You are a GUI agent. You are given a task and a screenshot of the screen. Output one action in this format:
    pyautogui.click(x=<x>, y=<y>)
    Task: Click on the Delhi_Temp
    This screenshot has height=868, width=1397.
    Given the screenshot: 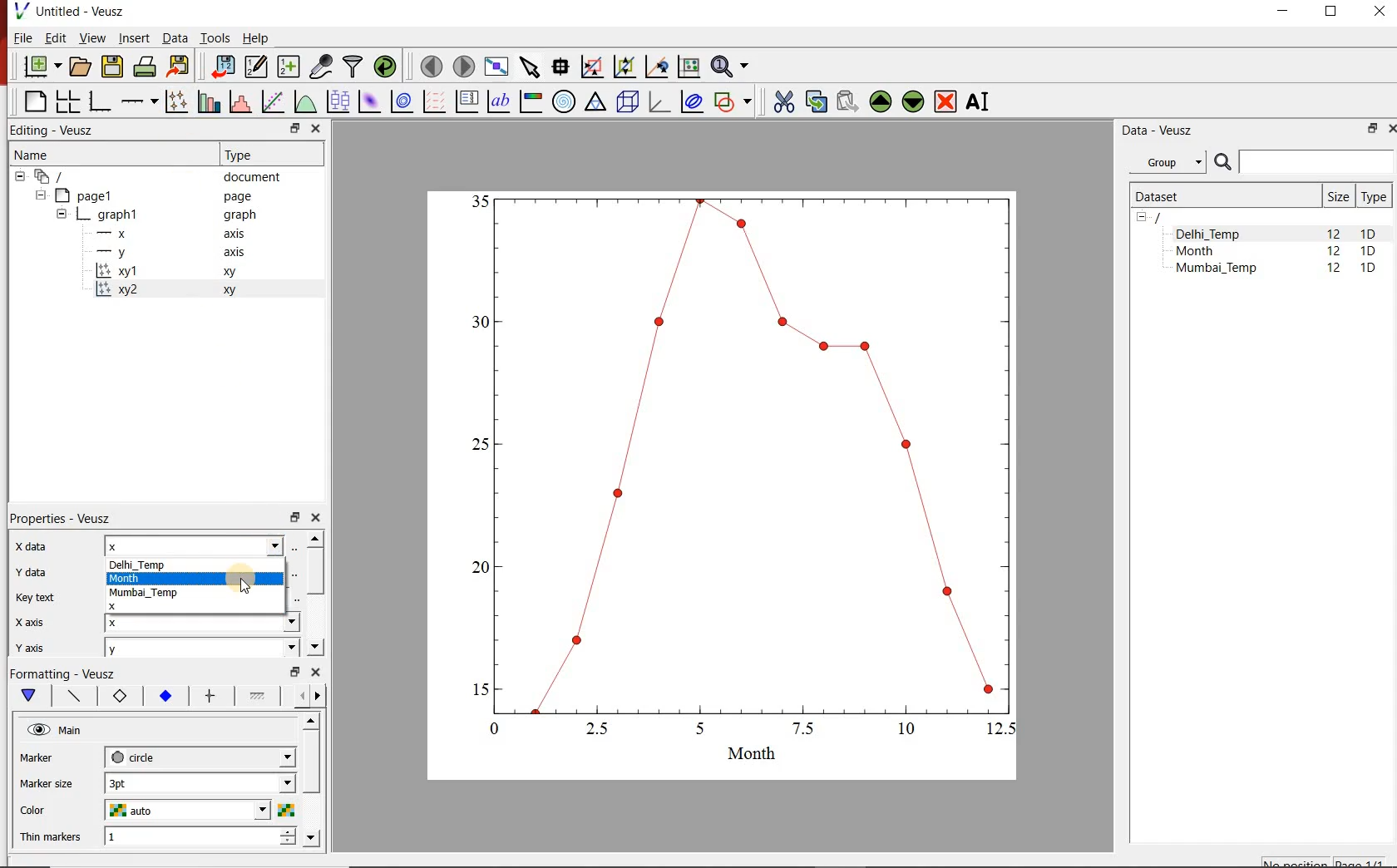 What is the action you would take?
    pyautogui.click(x=141, y=565)
    